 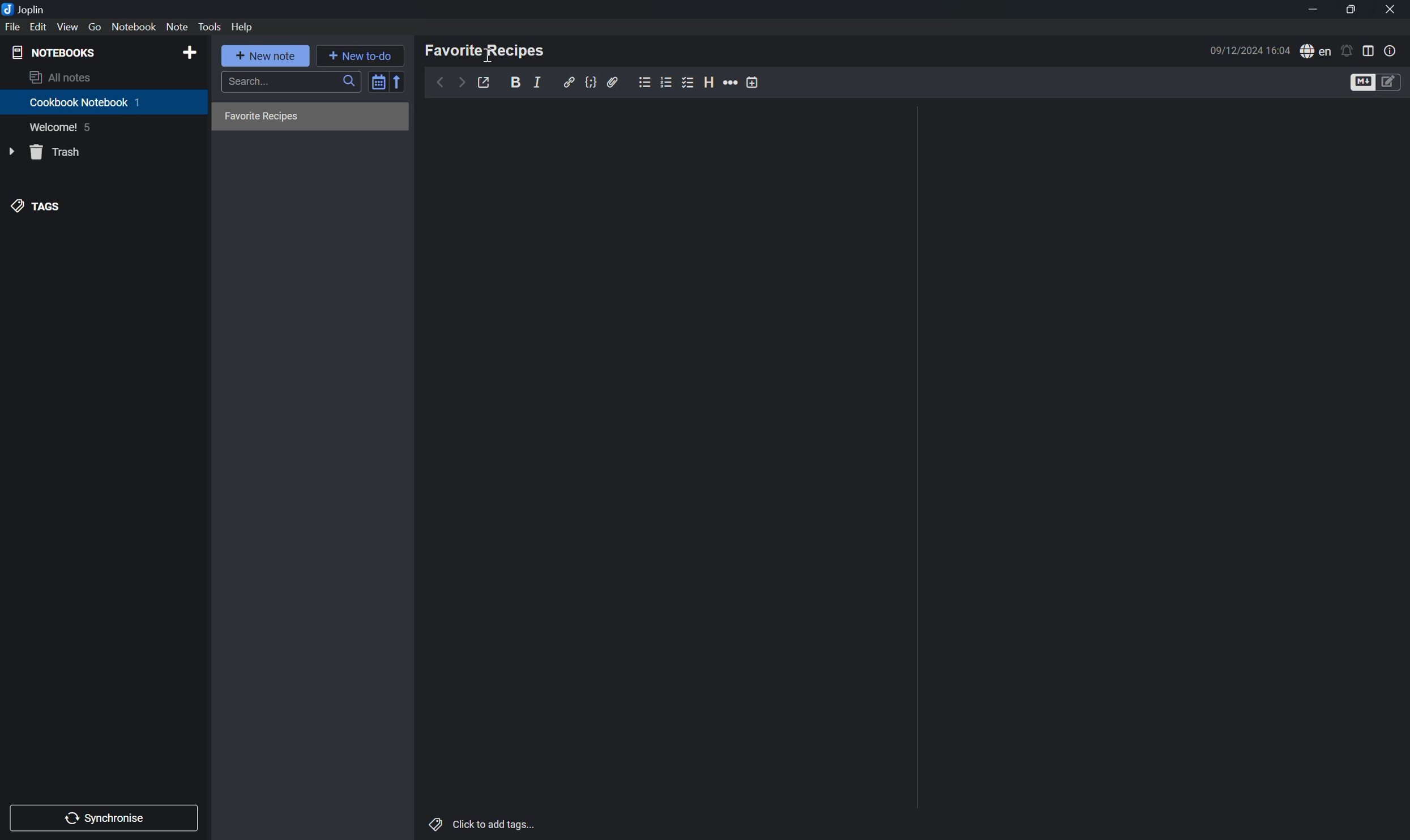 What do you see at coordinates (488, 55) in the screenshot?
I see `Cursor` at bounding box center [488, 55].